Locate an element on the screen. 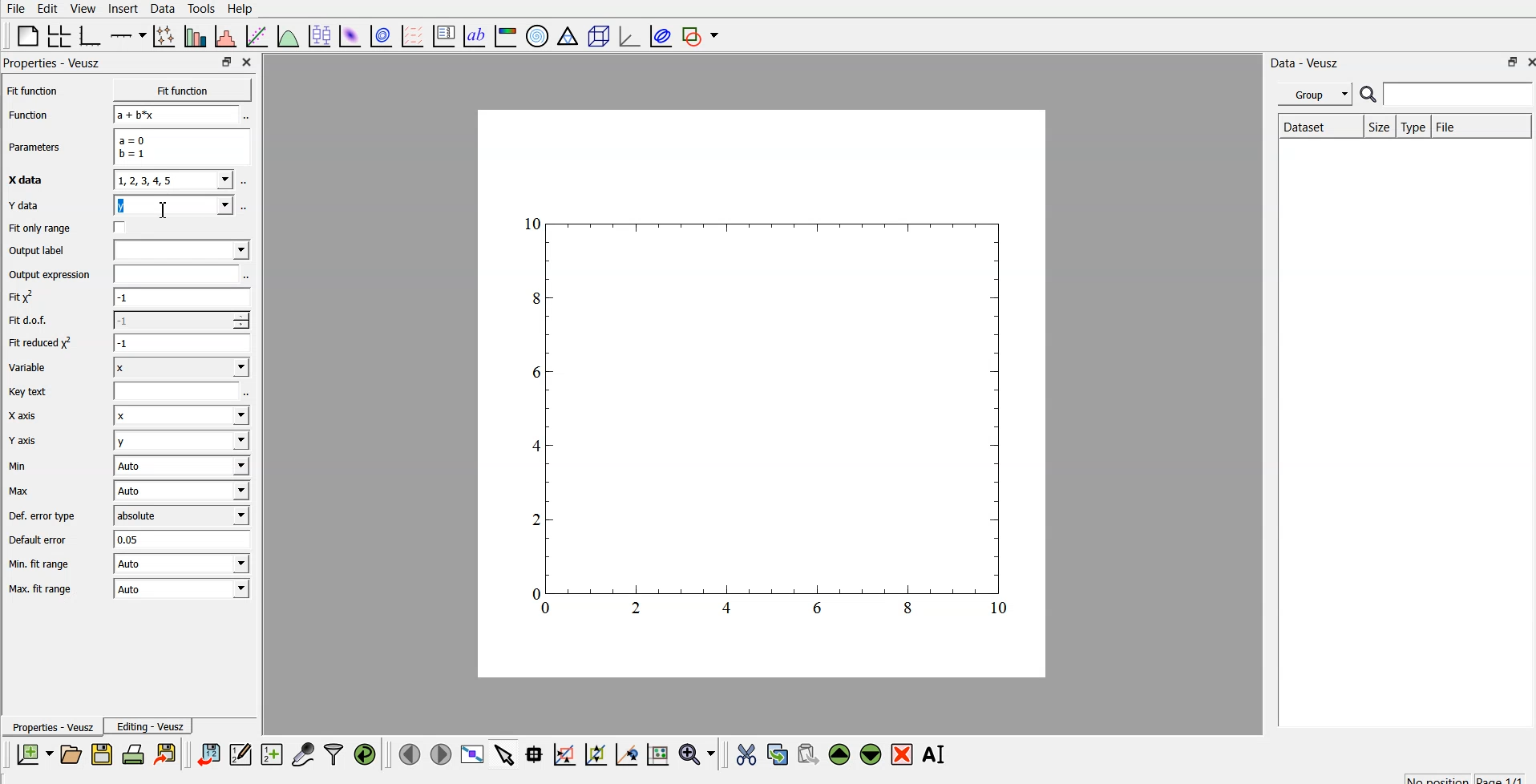 The image size is (1536, 784). plot a function is located at coordinates (287, 38).